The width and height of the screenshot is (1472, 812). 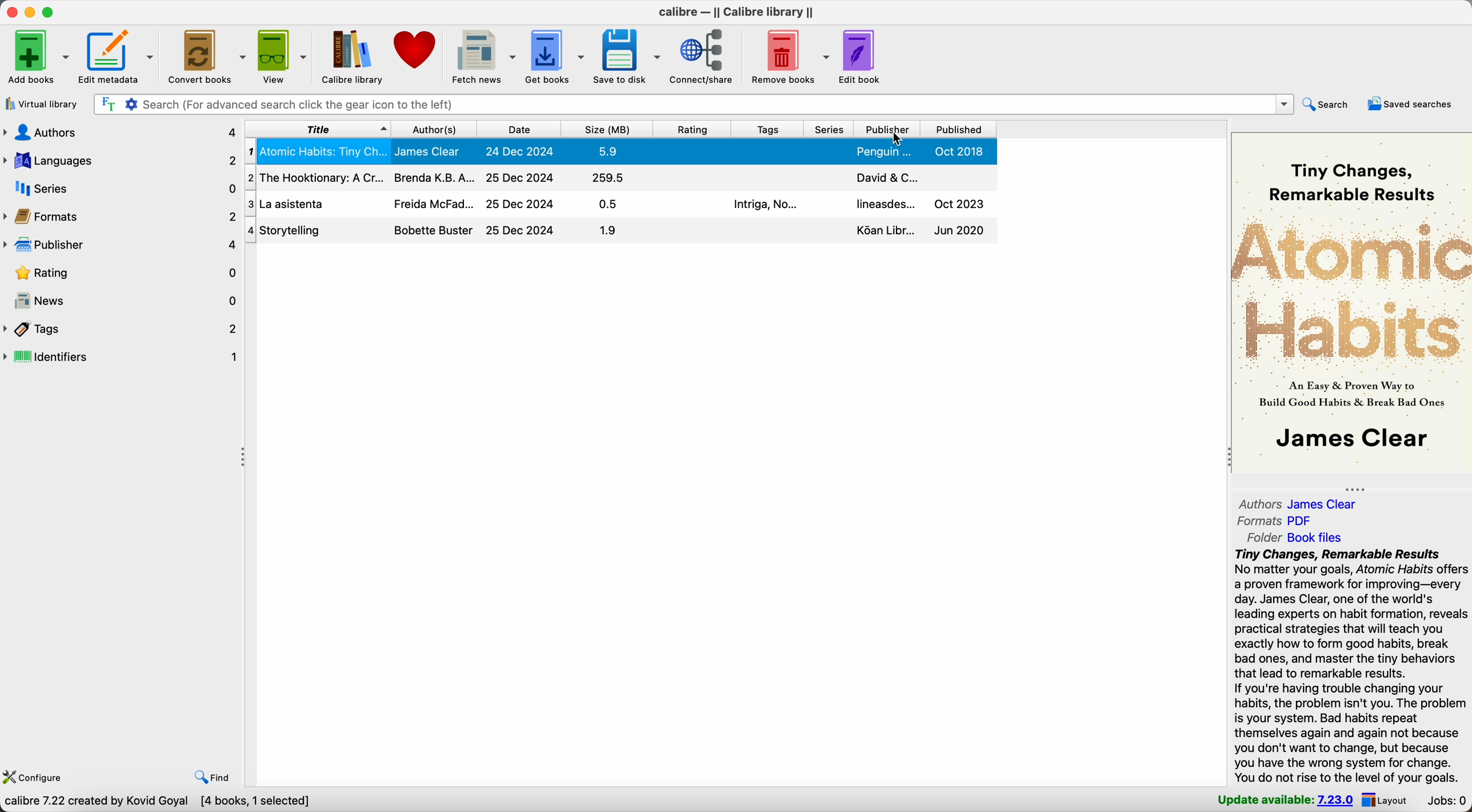 What do you see at coordinates (435, 179) in the screenshot?
I see `brenda K.B.A...` at bounding box center [435, 179].